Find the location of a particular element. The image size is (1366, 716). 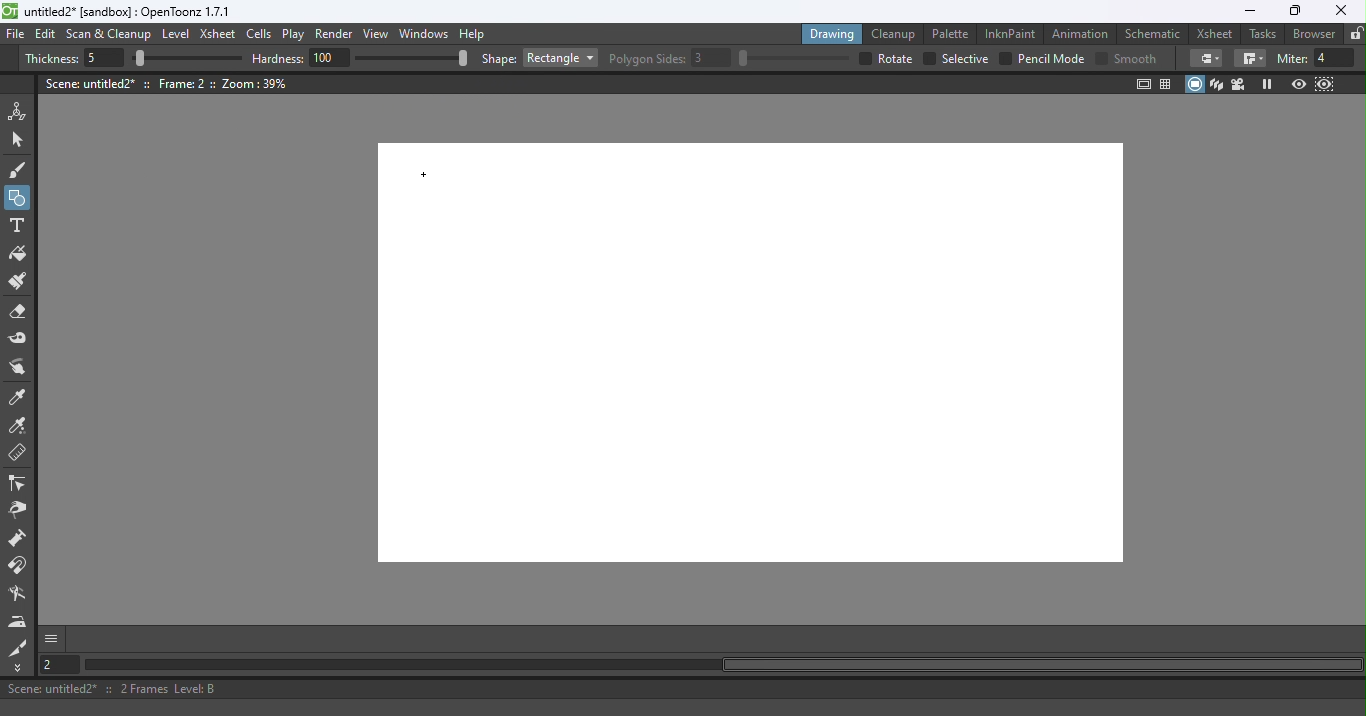

InknPaint is located at coordinates (1011, 32).